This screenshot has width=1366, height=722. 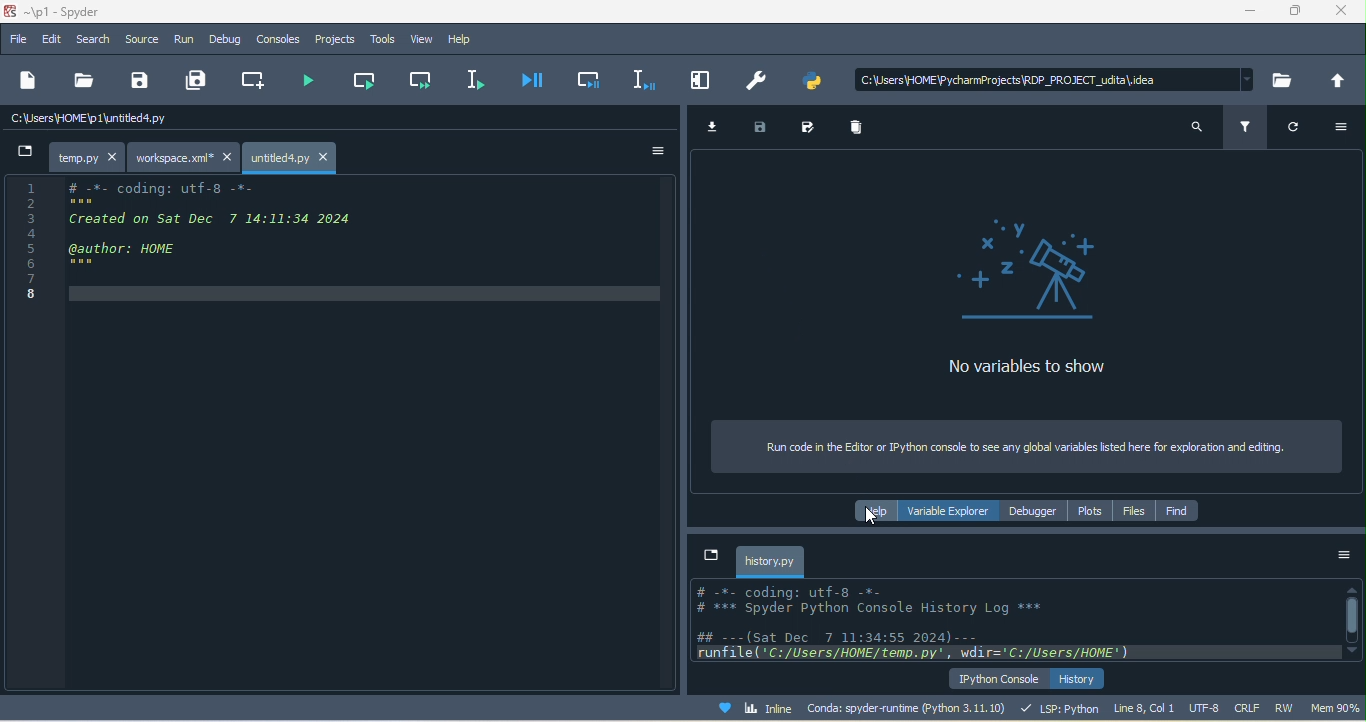 What do you see at coordinates (718, 130) in the screenshot?
I see `` at bounding box center [718, 130].